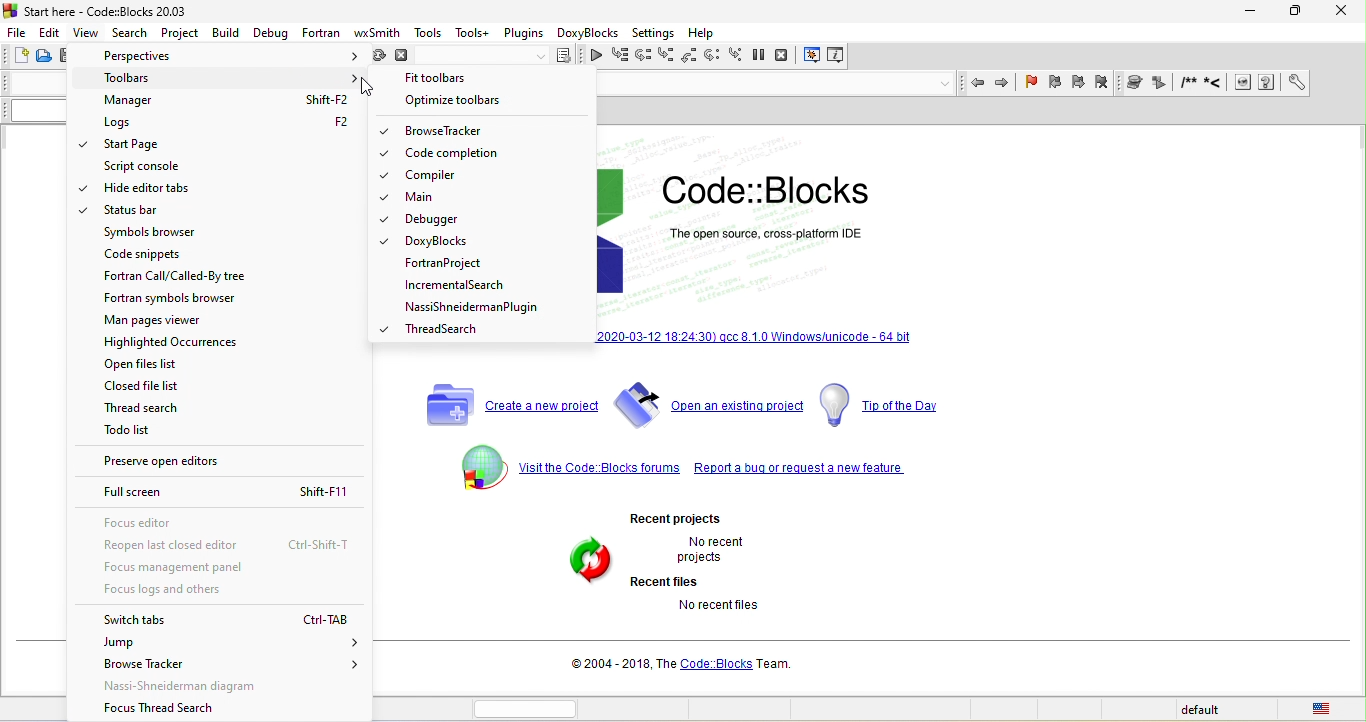 Image resolution: width=1366 pixels, height=722 pixels. I want to click on search, so click(128, 33).